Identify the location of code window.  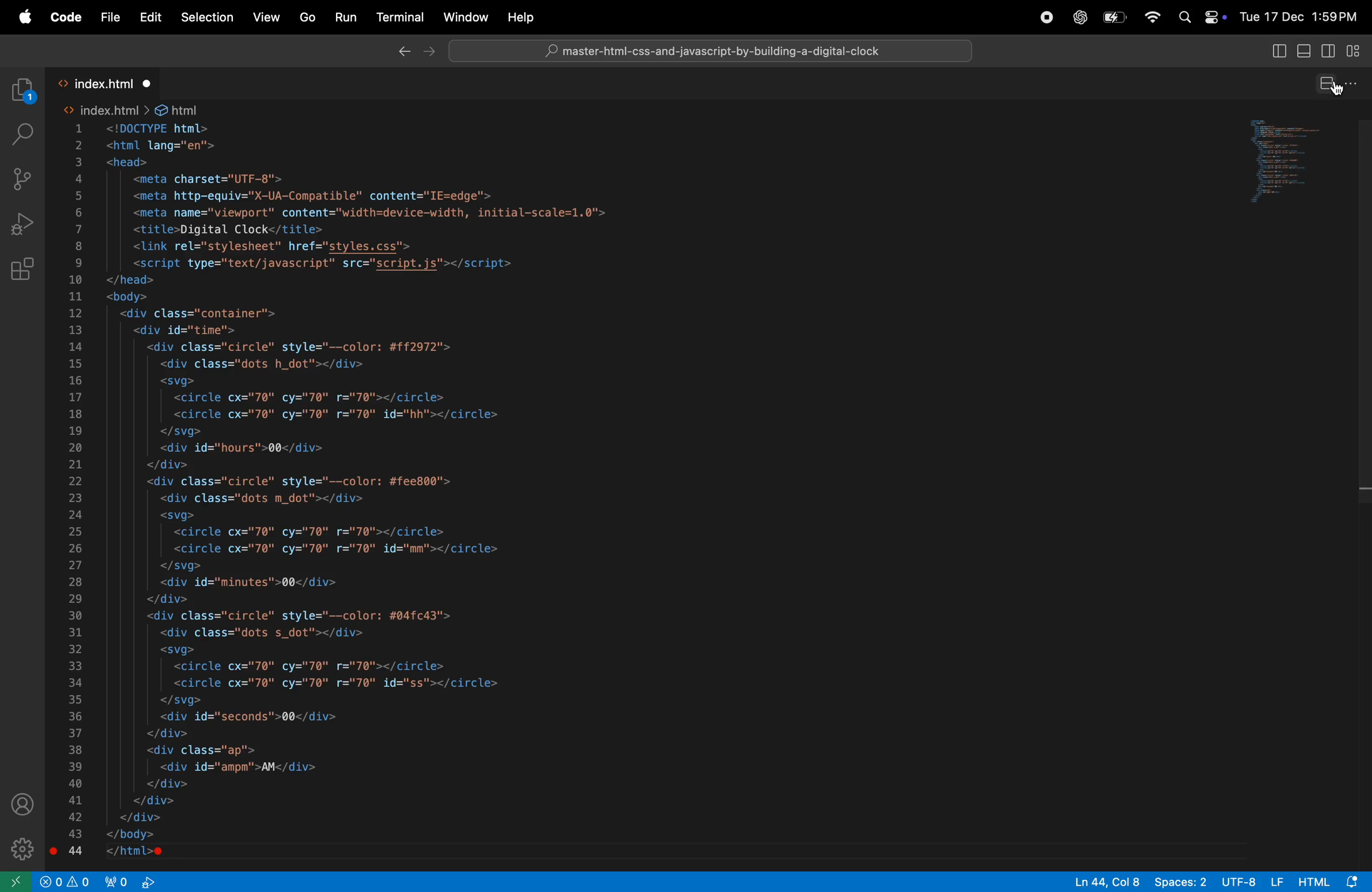
(1297, 160).